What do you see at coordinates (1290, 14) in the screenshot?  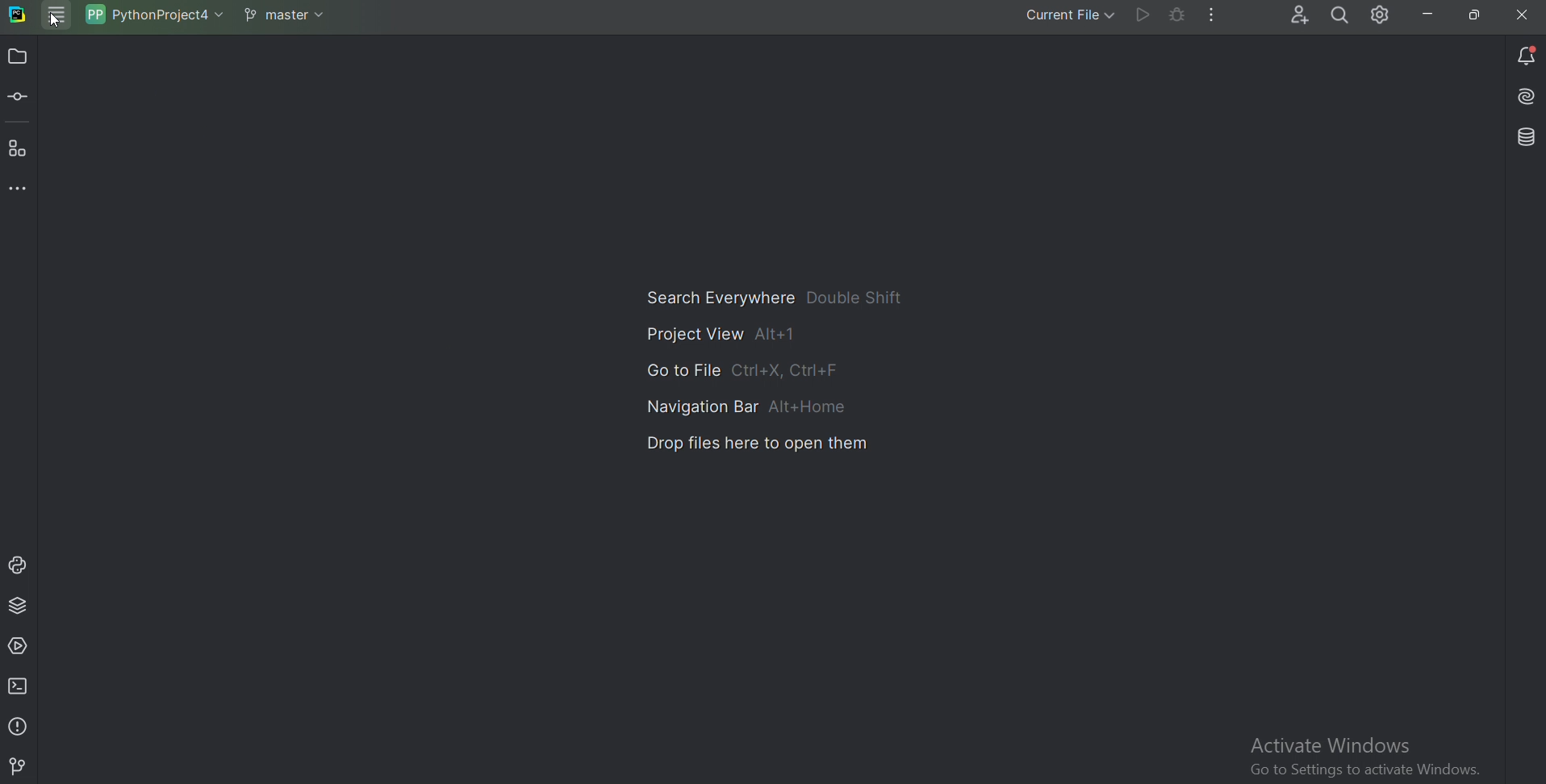 I see `Code with me` at bounding box center [1290, 14].